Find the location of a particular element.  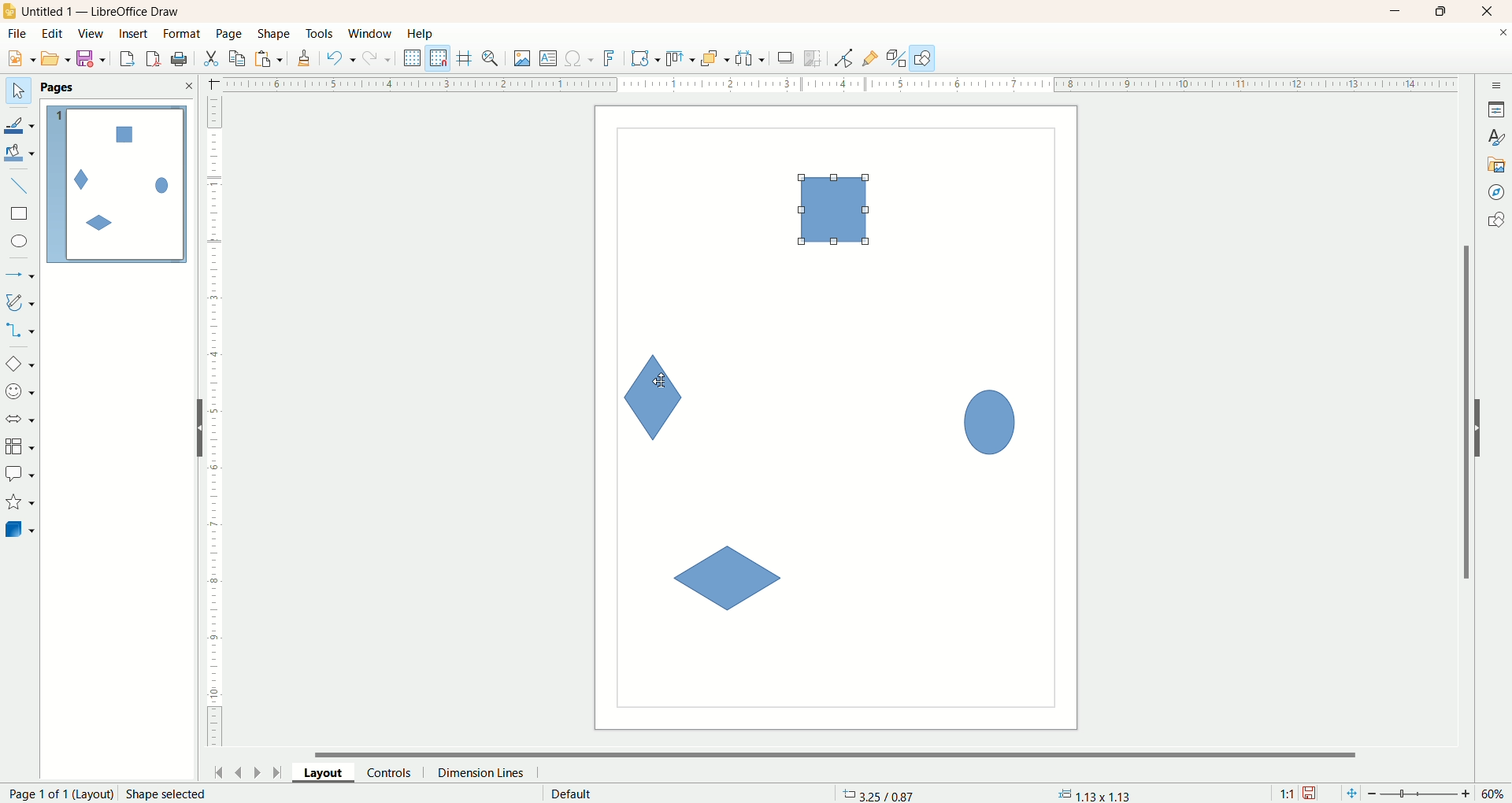

save is located at coordinates (1311, 794).